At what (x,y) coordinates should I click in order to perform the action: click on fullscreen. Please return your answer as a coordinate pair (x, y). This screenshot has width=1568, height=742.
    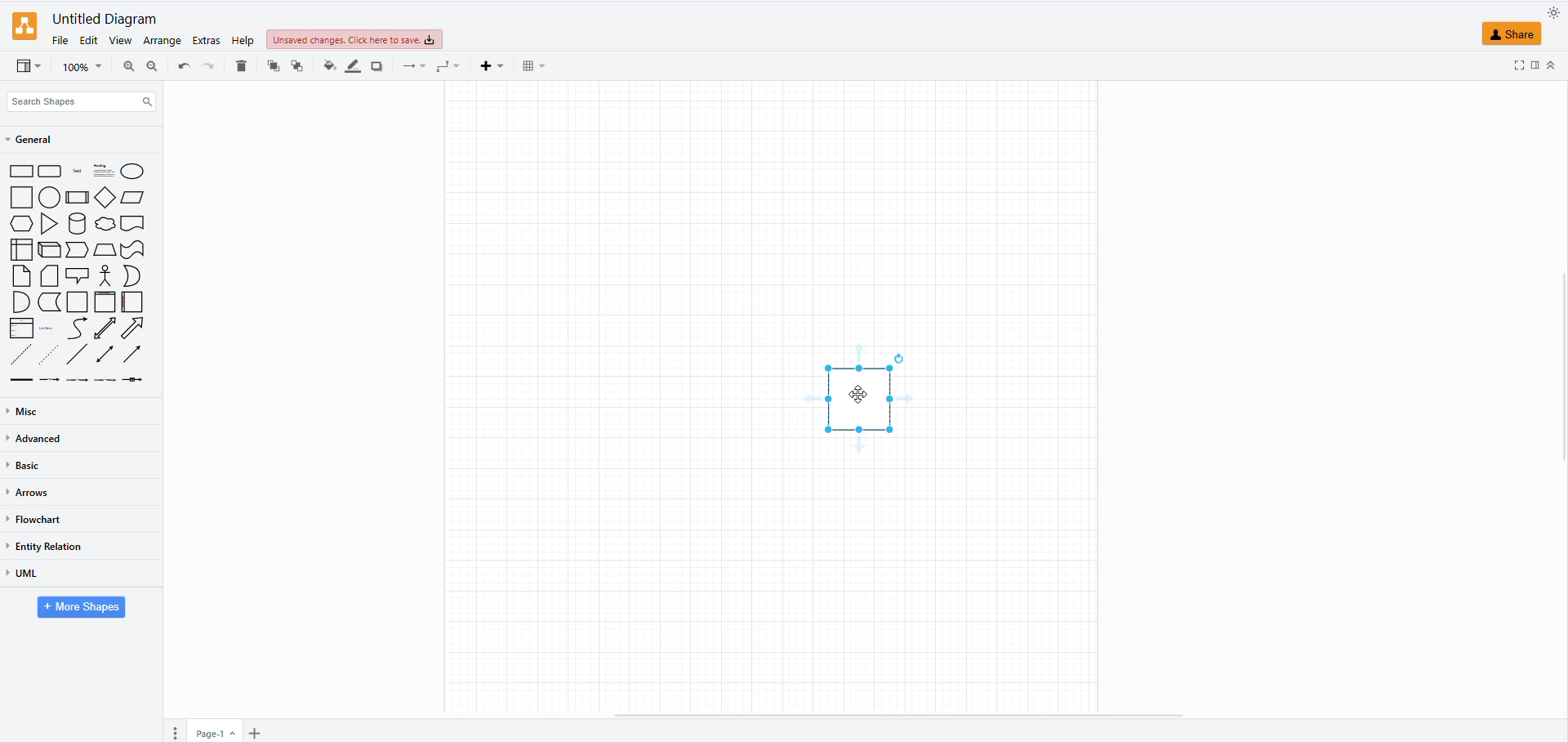
    Looking at the image, I should click on (1534, 62).